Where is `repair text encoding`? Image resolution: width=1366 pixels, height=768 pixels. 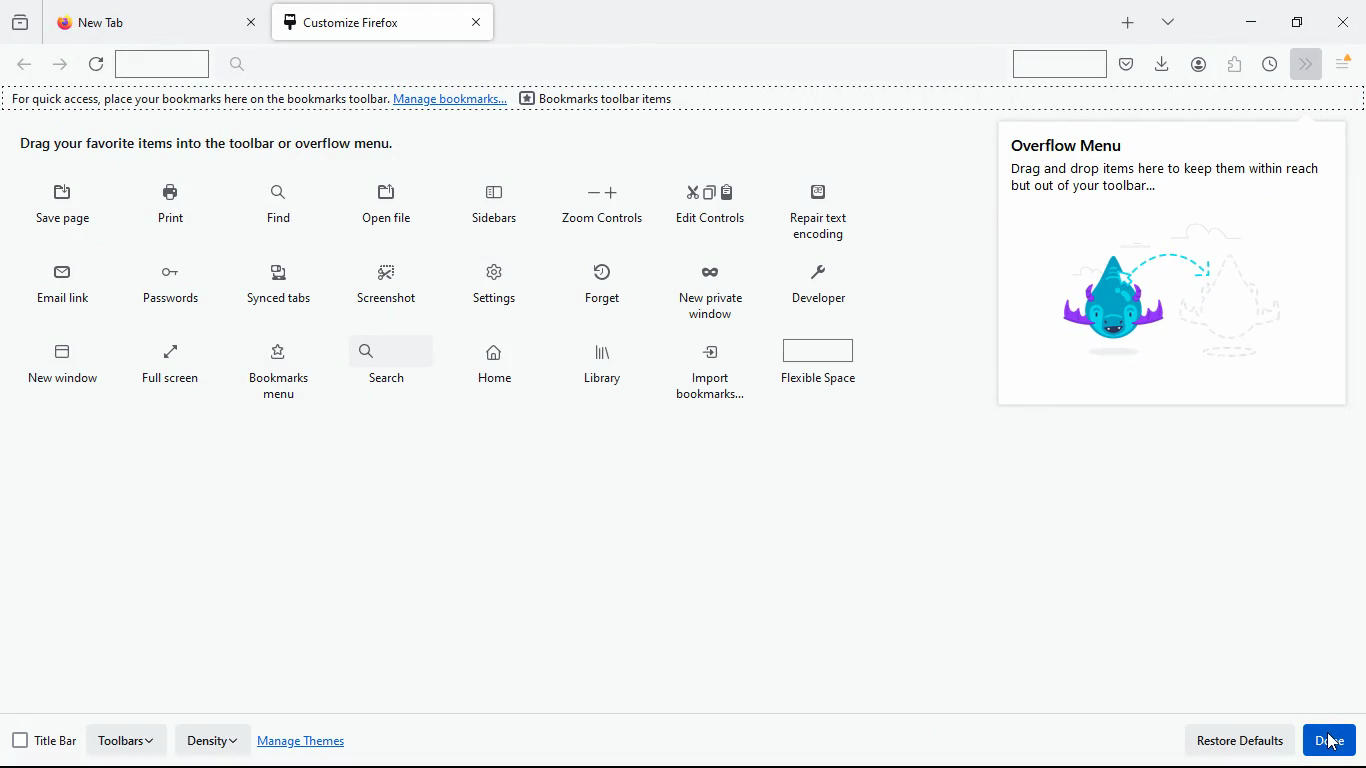 repair text encoding is located at coordinates (65, 291).